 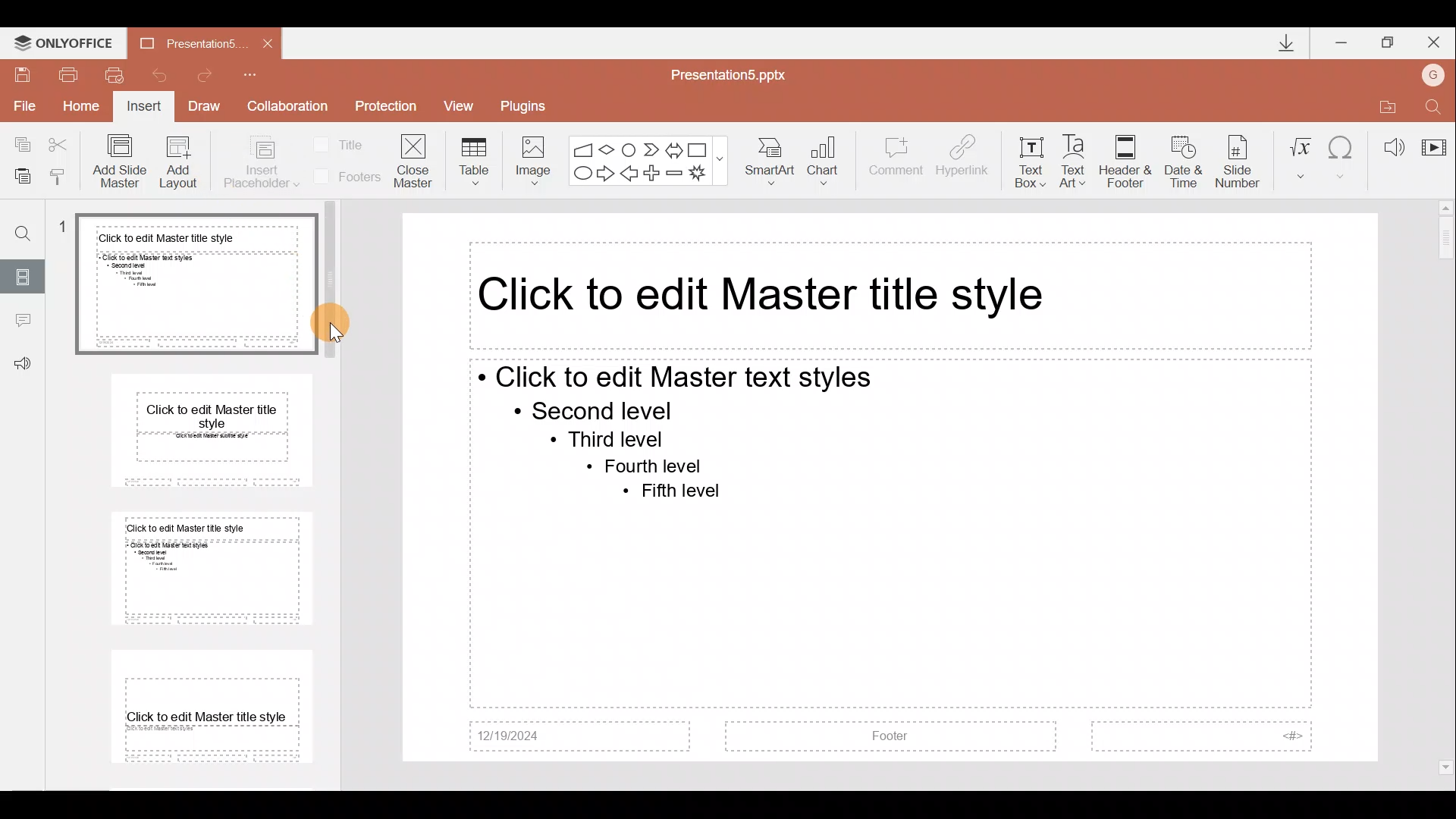 What do you see at coordinates (22, 105) in the screenshot?
I see `File` at bounding box center [22, 105].